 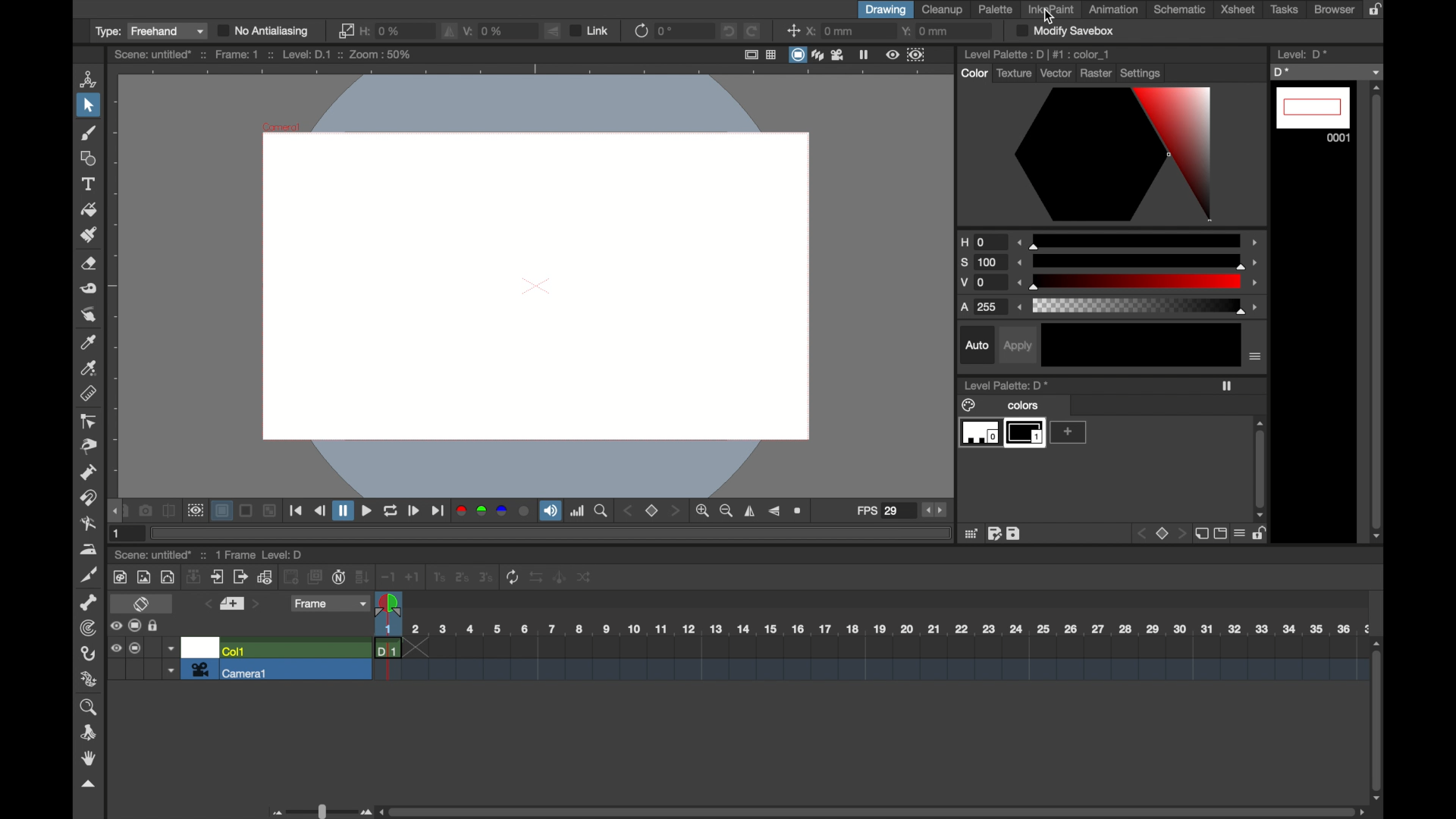 What do you see at coordinates (969, 535) in the screenshot?
I see `grid` at bounding box center [969, 535].